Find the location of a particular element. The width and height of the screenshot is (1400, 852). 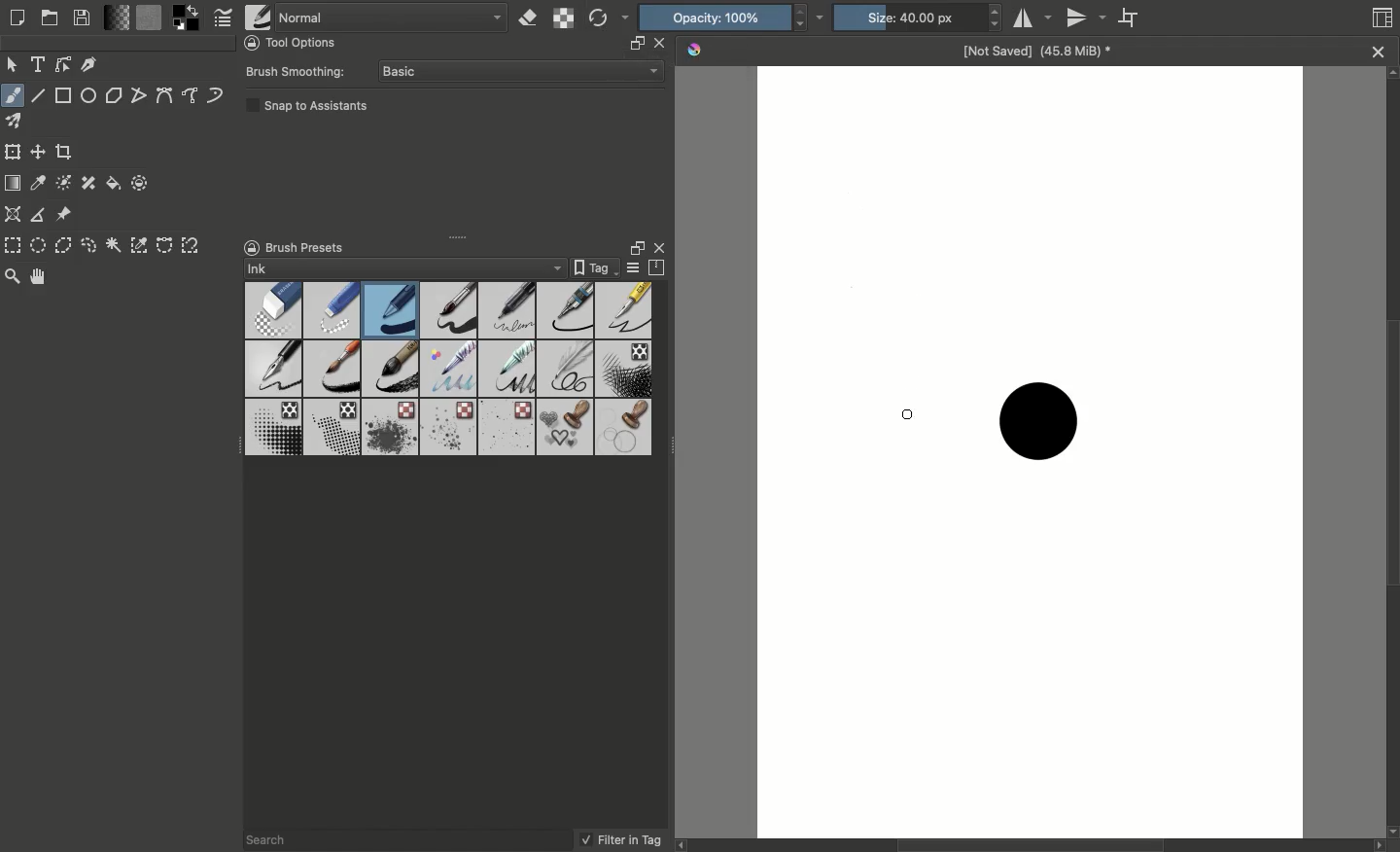

Preserve alpha is located at coordinates (565, 18).